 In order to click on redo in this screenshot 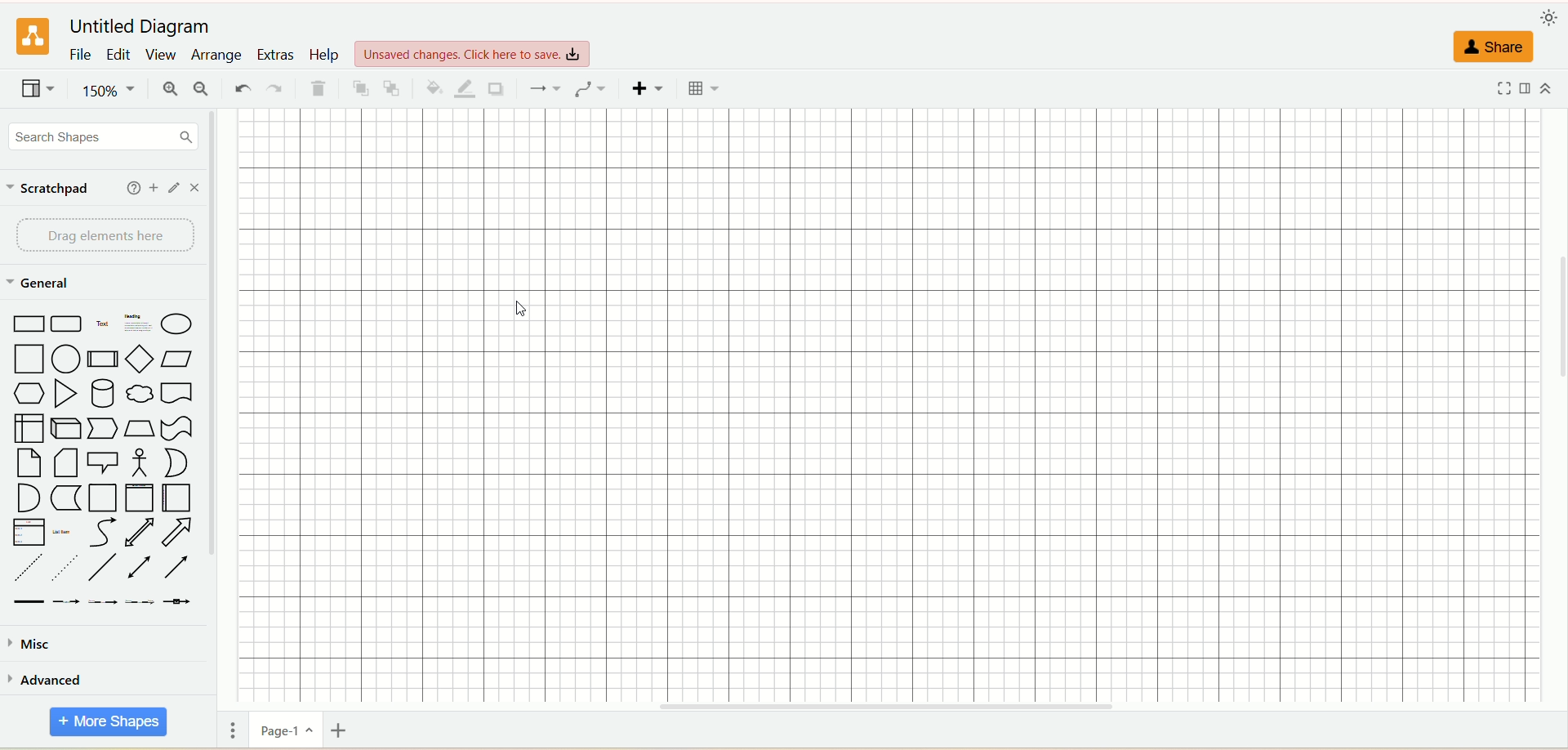, I will do `click(277, 87)`.